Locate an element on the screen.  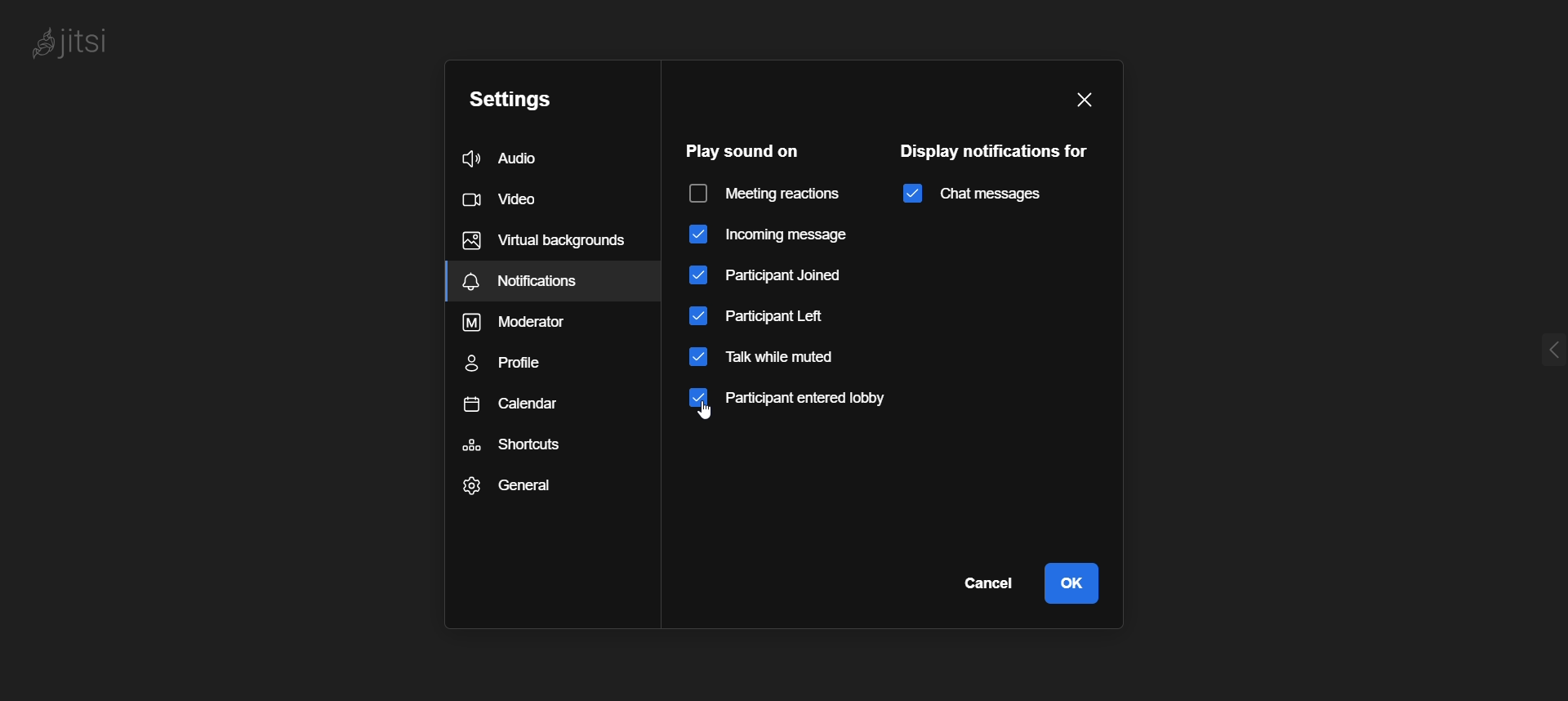
cursor is located at coordinates (716, 418).